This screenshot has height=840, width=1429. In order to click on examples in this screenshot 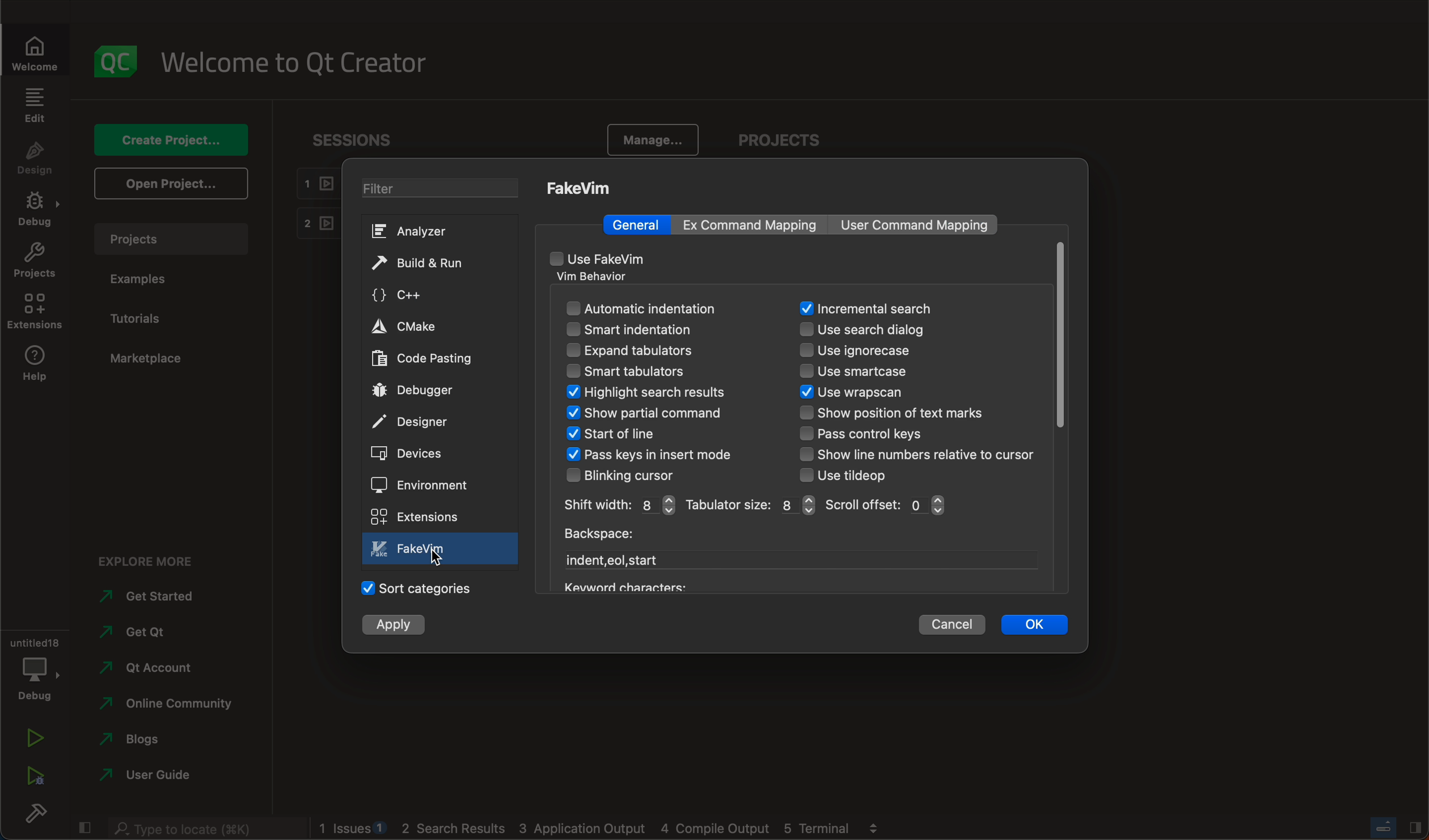, I will do `click(143, 278)`.